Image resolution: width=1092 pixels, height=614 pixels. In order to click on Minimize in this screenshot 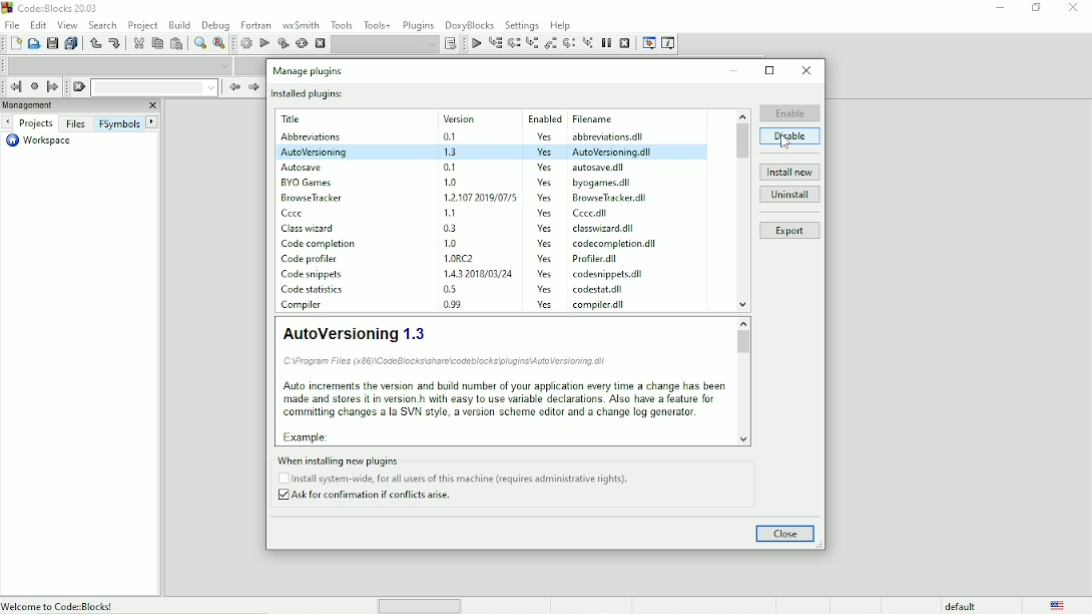, I will do `click(735, 70)`.